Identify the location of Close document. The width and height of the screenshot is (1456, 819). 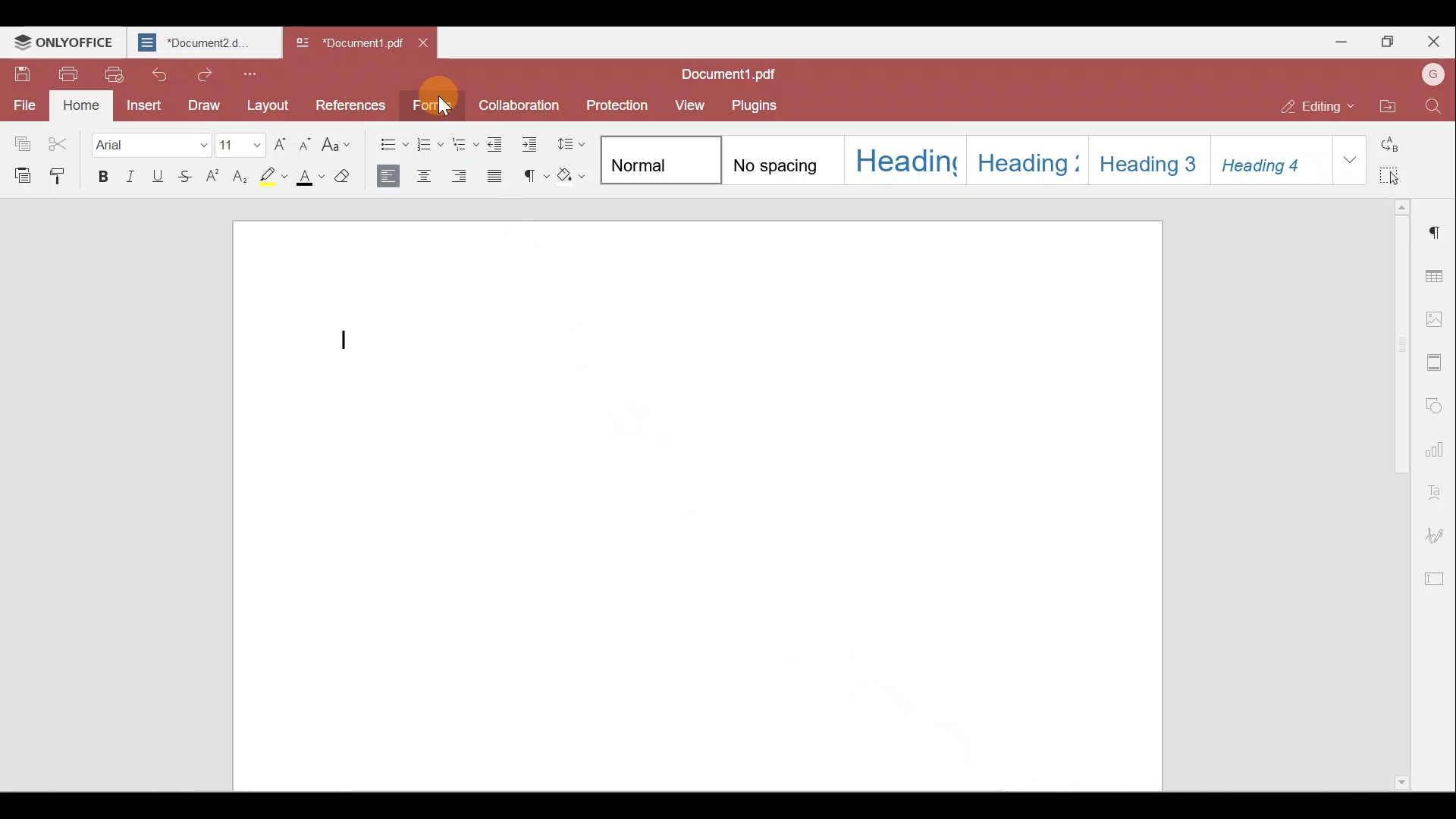
(423, 44).